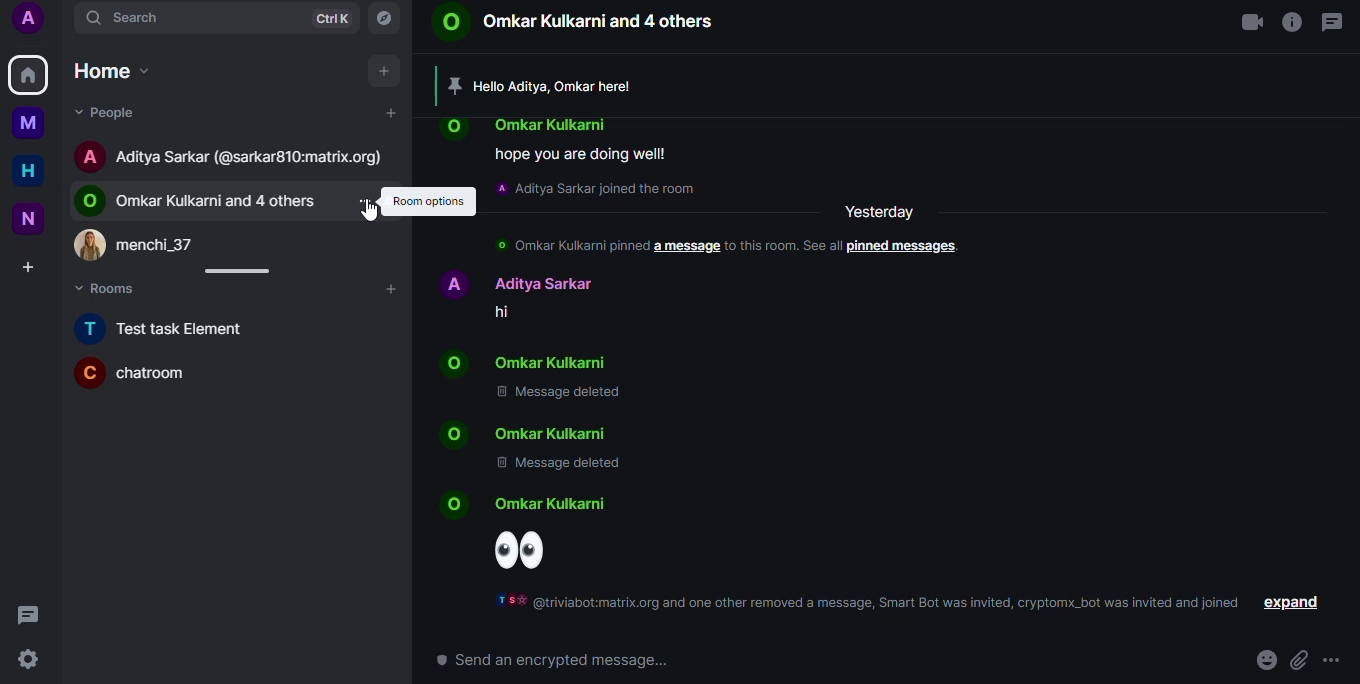 This screenshot has width=1360, height=684. Describe the element at coordinates (165, 243) in the screenshot. I see `menchi_37` at that location.